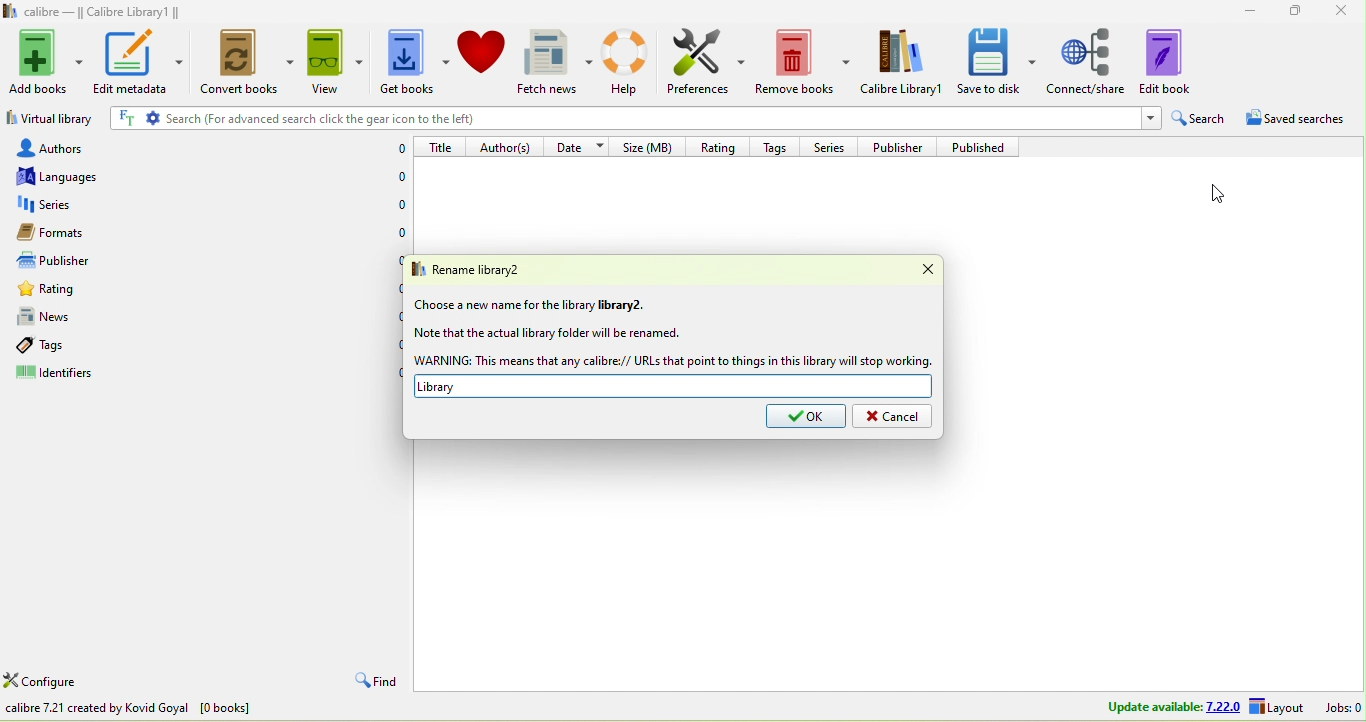  Describe the element at coordinates (1199, 708) in the screenshot. I see `update available 7.22.0 logout` at that location.